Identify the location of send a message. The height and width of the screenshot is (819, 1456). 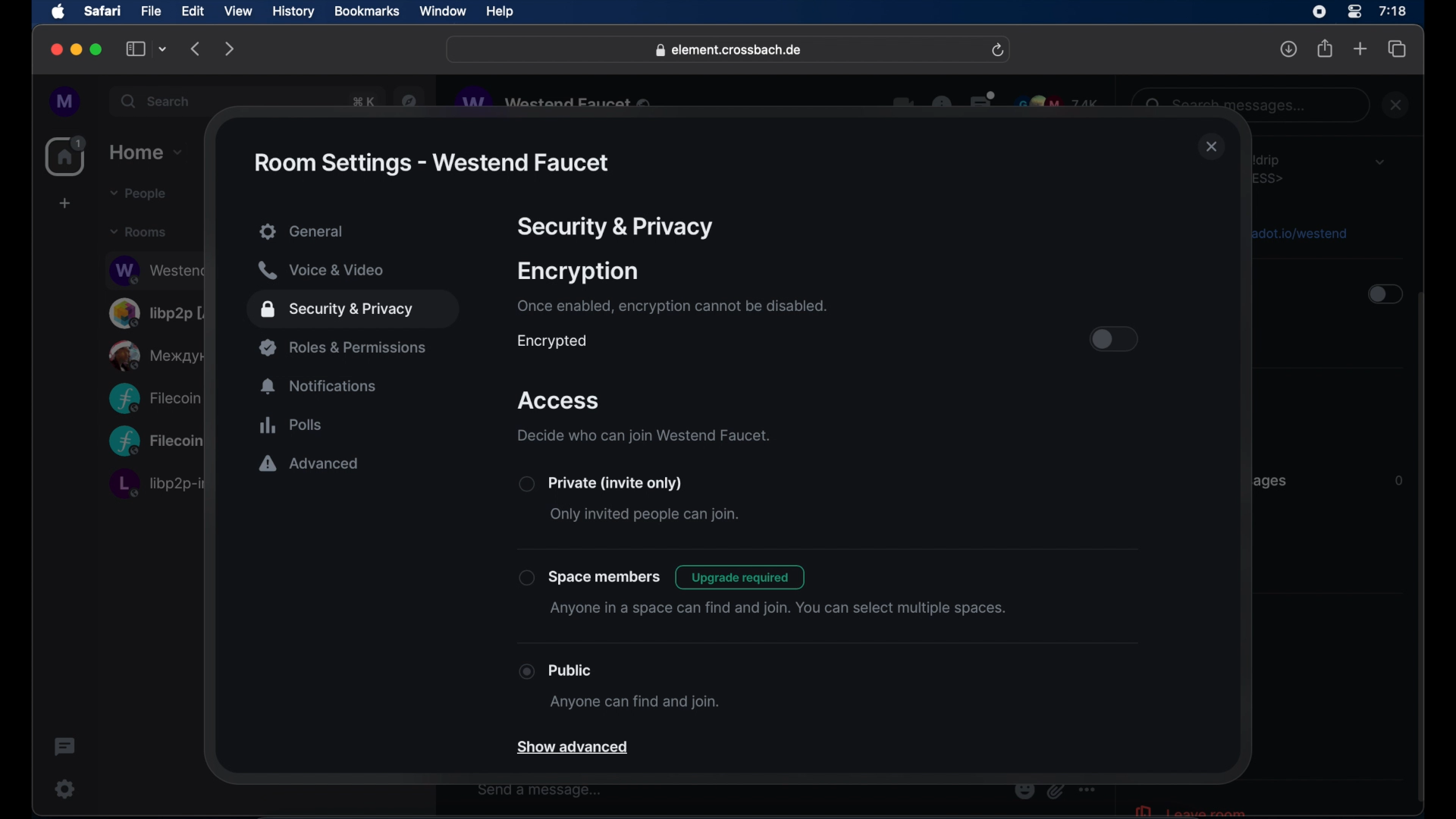
(540, 790).